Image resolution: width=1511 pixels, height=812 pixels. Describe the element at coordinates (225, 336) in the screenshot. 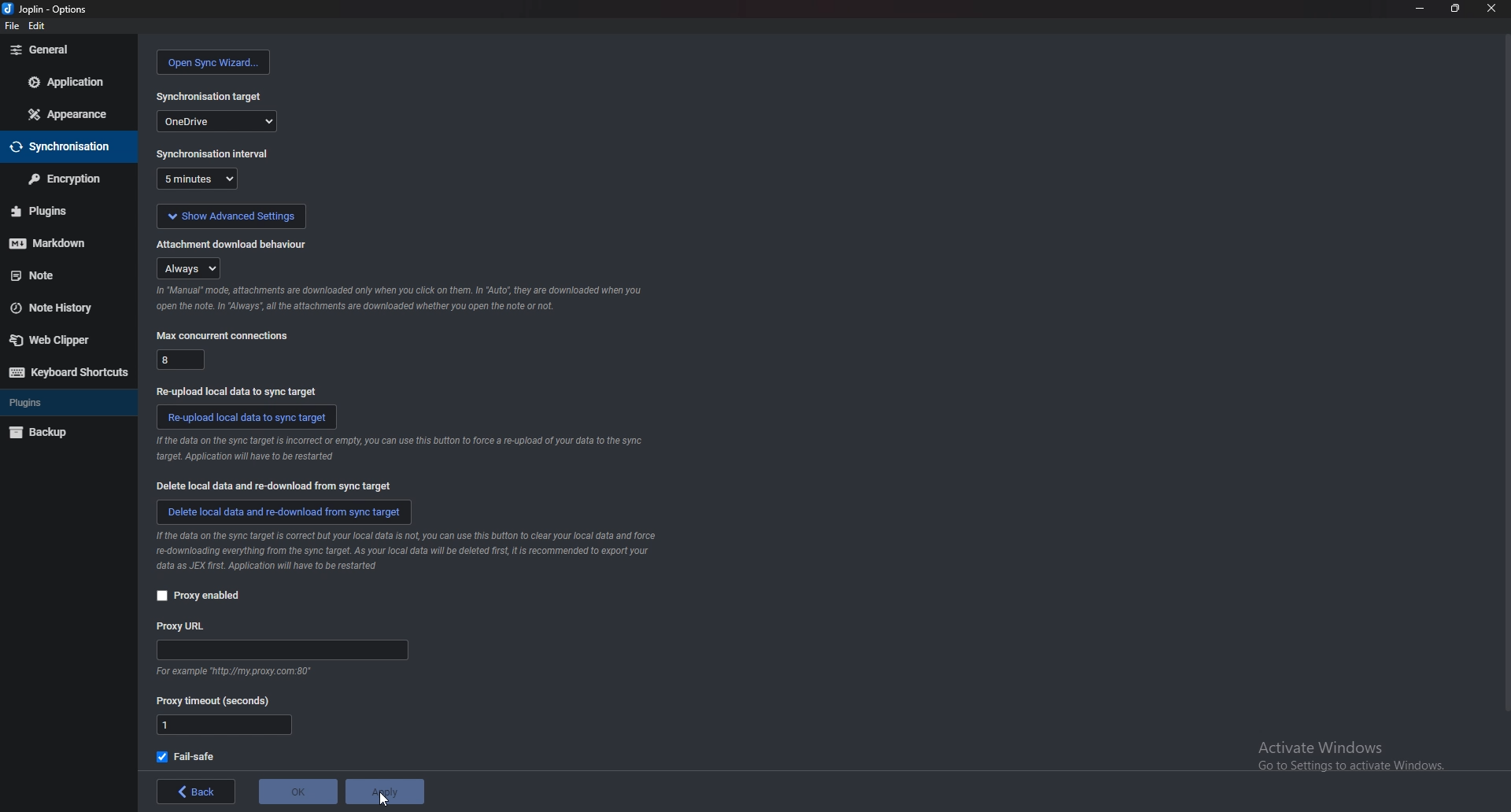

I see `max concurrent connections` at that location.